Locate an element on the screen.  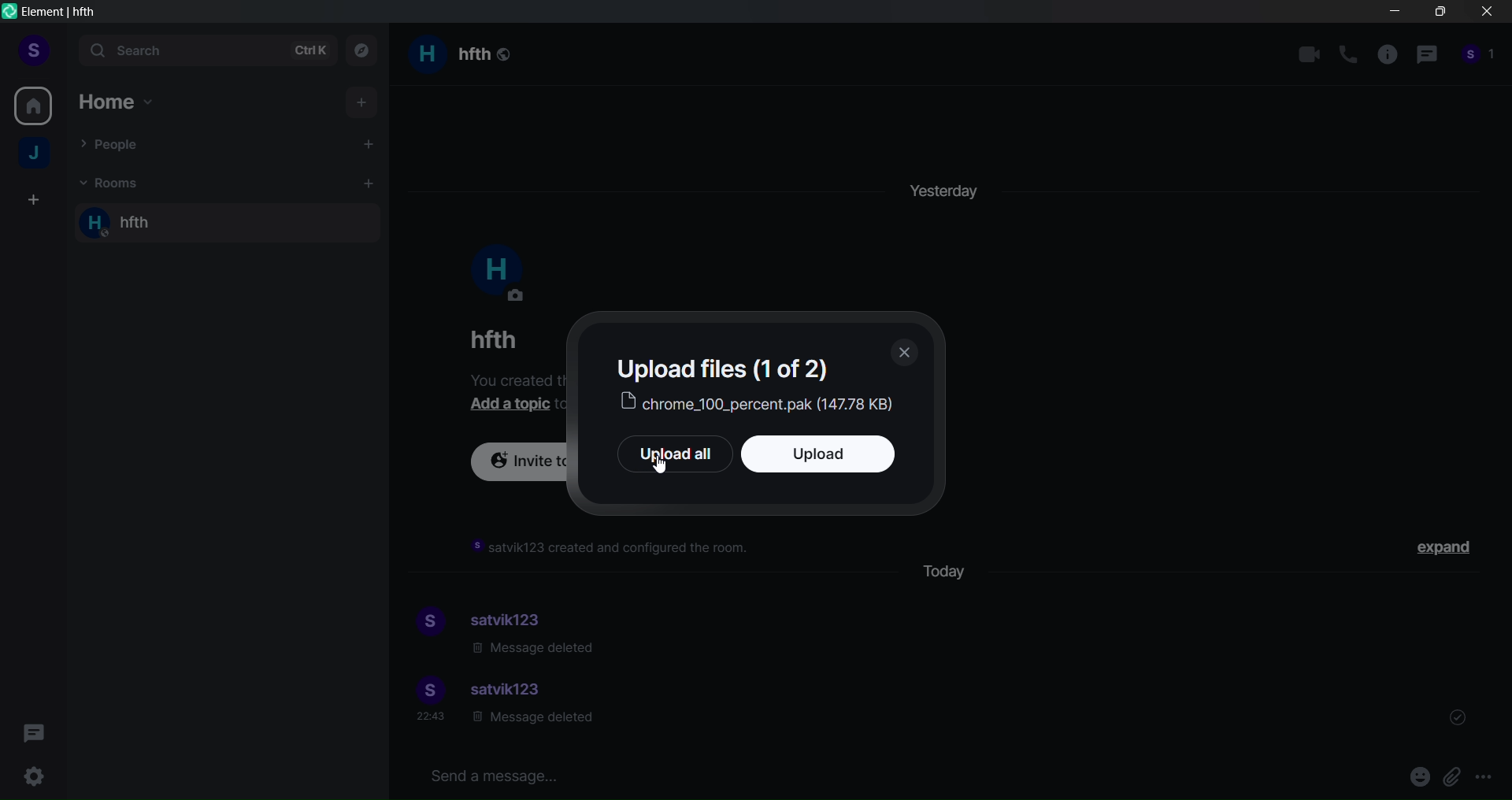
call is located at coordinates (1348, 55).